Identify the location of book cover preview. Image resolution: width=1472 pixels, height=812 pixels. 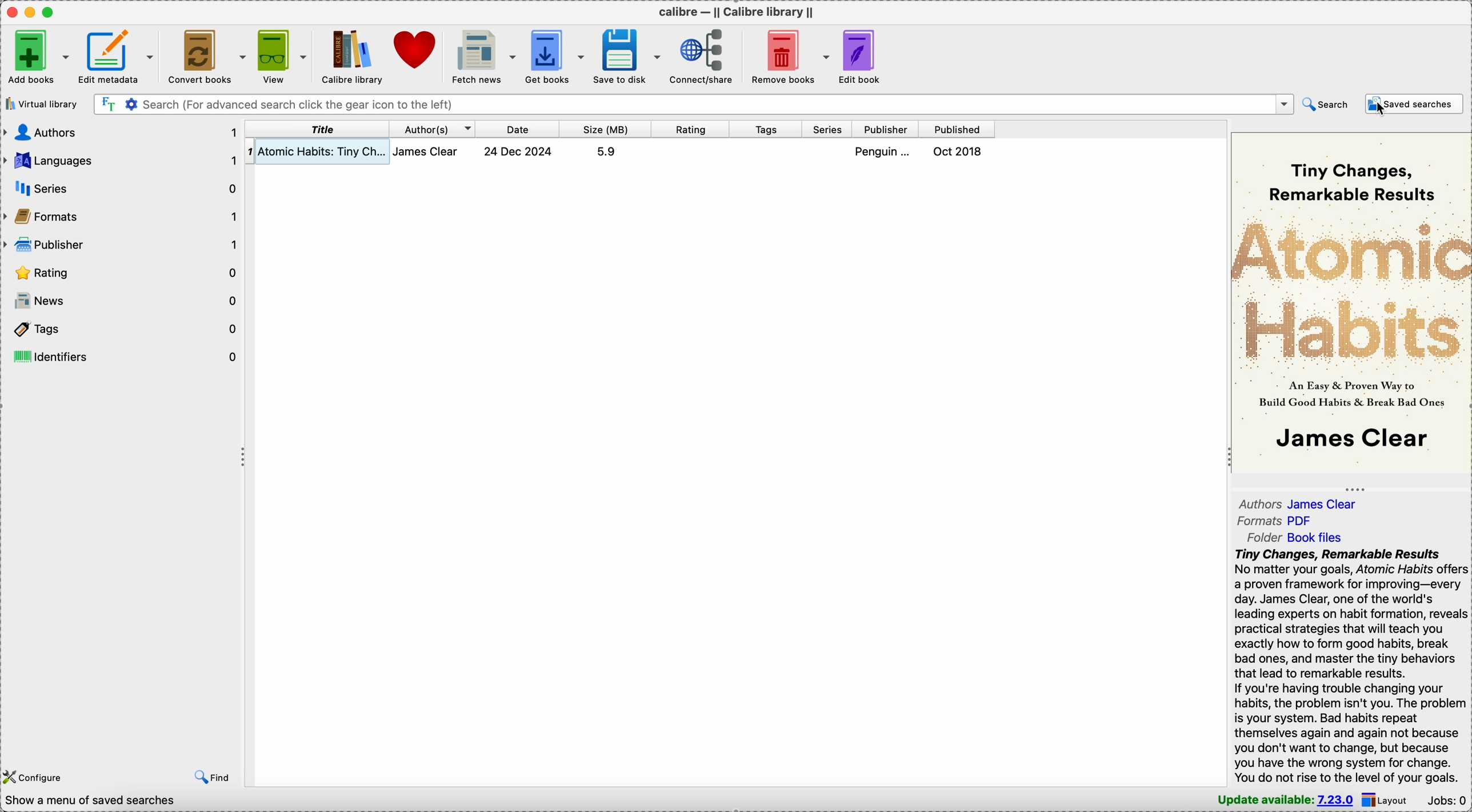
(1350, 301).